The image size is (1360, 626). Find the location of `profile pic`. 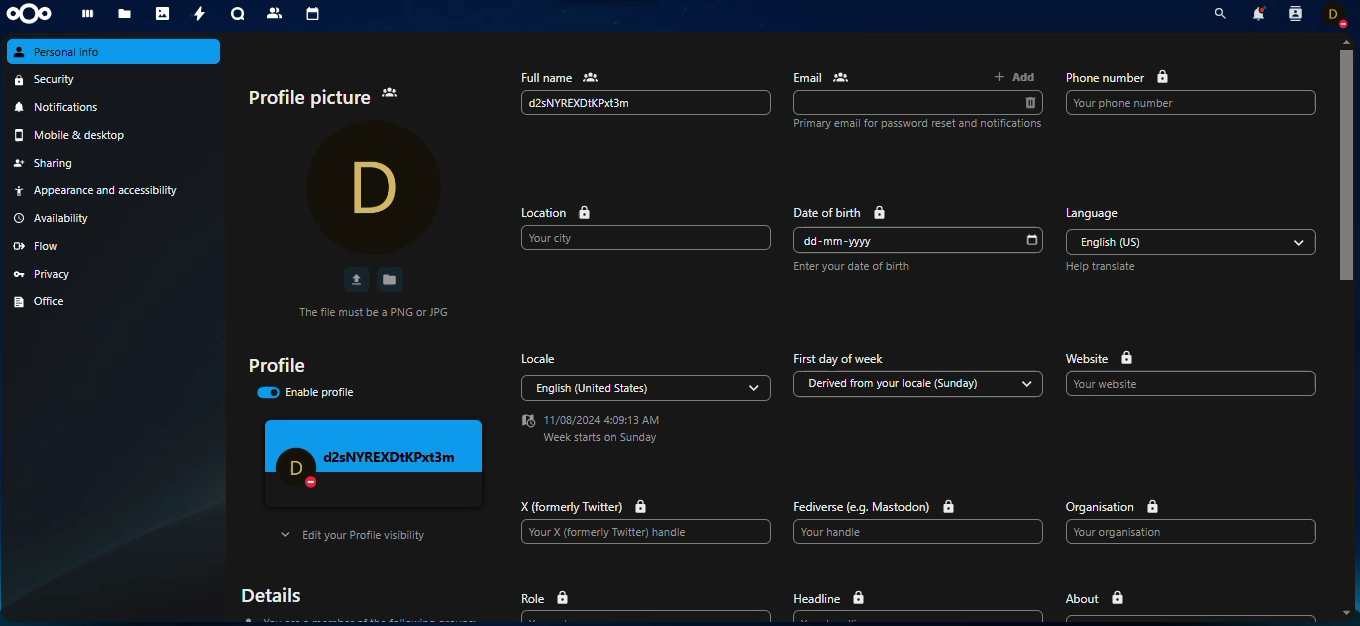

profile pic is located at coordinates (373, 187).